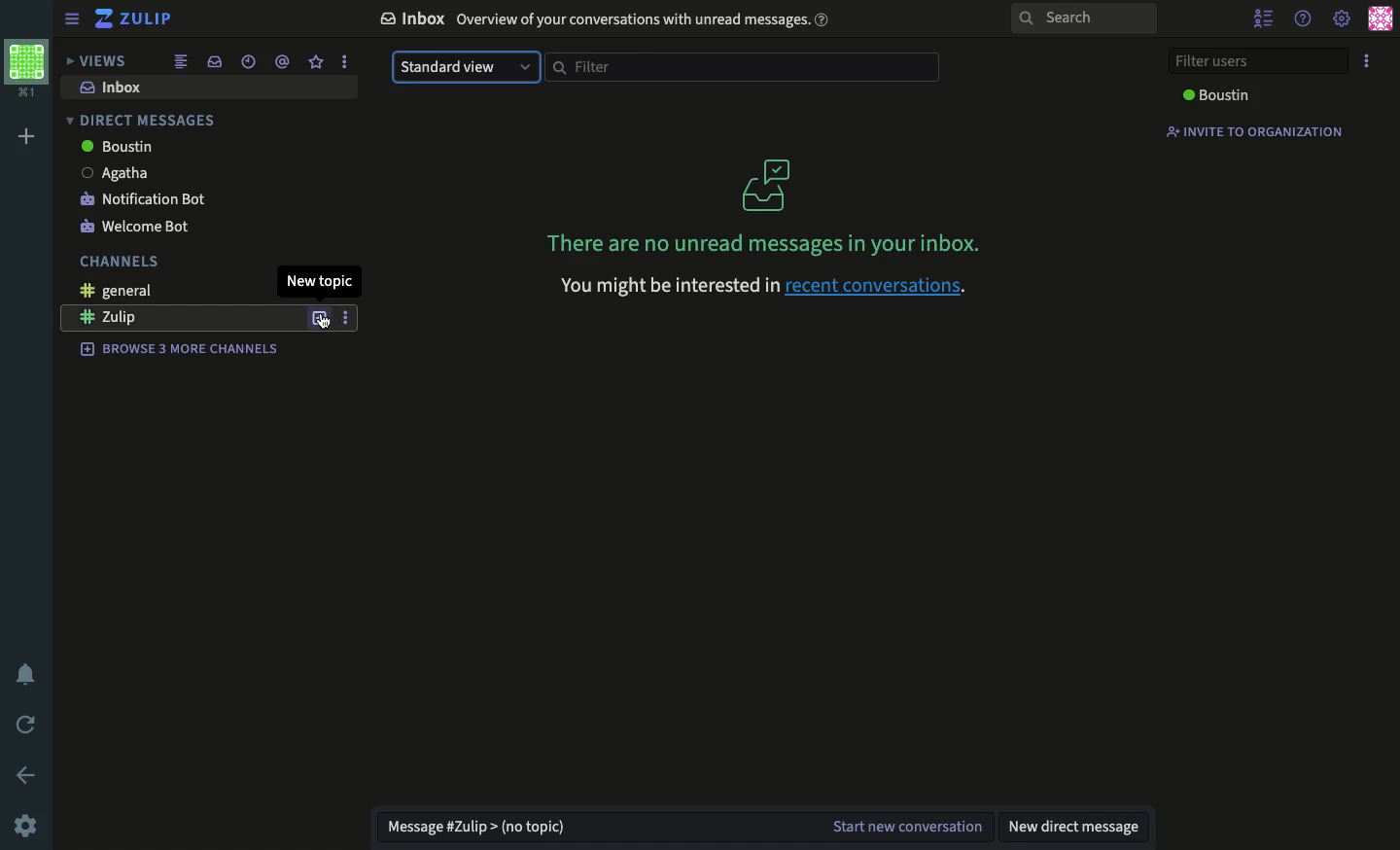 The width and height of the screenshot is (1400, 850). Describe the element at coordinates (249, 61) in the screenshot. I see `date time` at that location.